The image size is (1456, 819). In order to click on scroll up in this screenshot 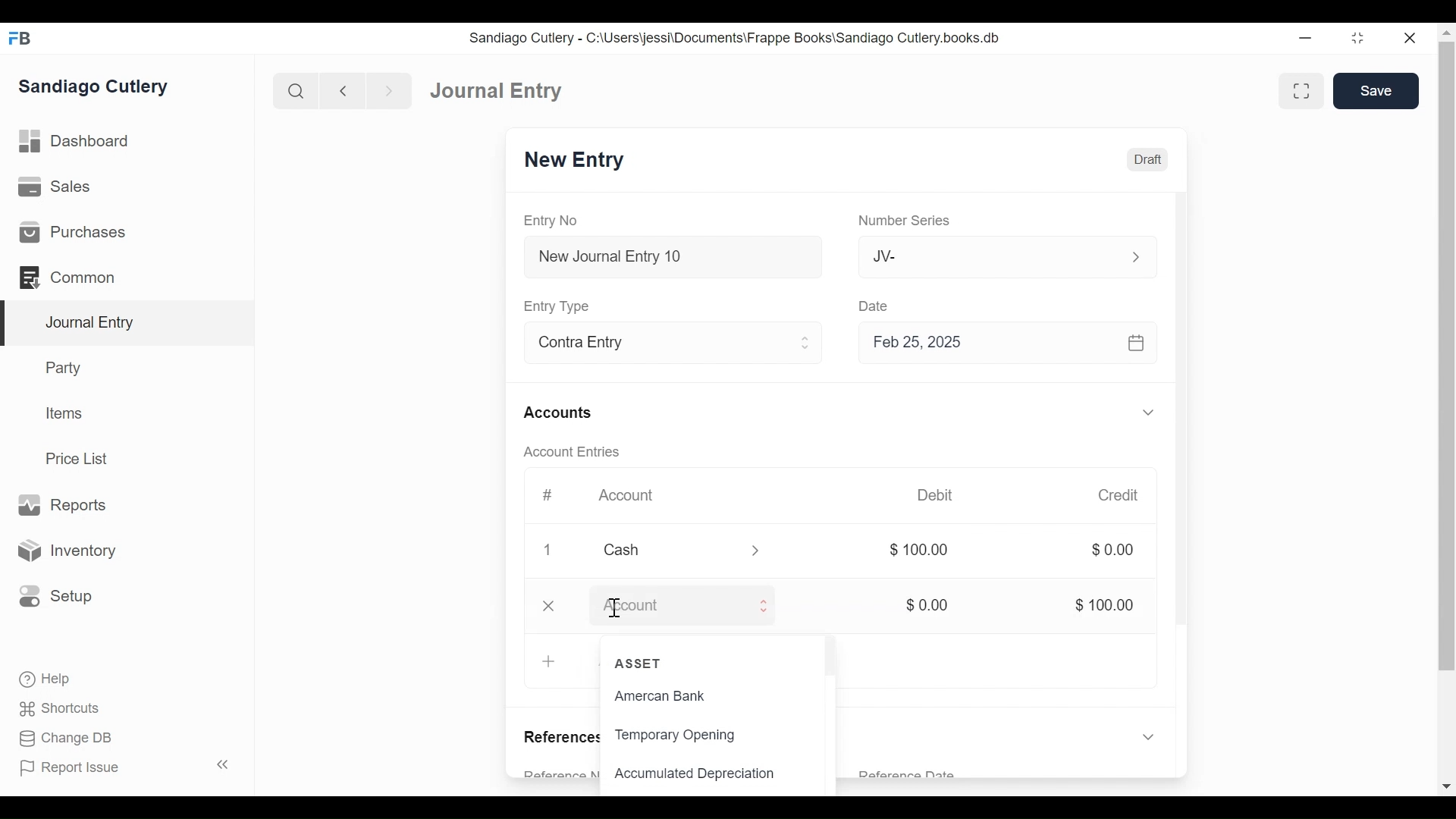, I will do `click(1446, 33)`.